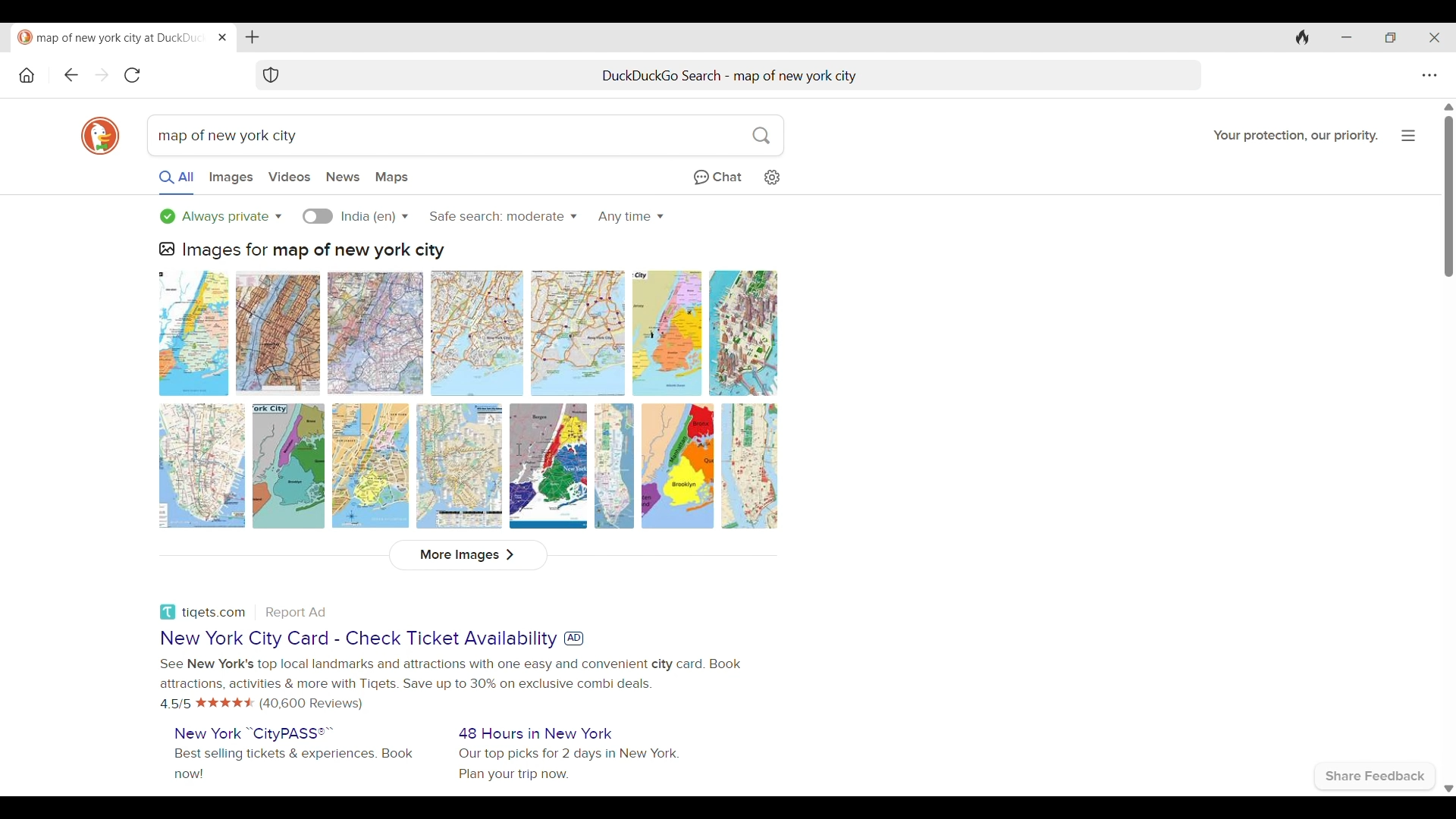 This screenshot has width=1456, height=819. Describe the element at coordinates (168, 612) in the screenshot. I see `Site logo` at that location.